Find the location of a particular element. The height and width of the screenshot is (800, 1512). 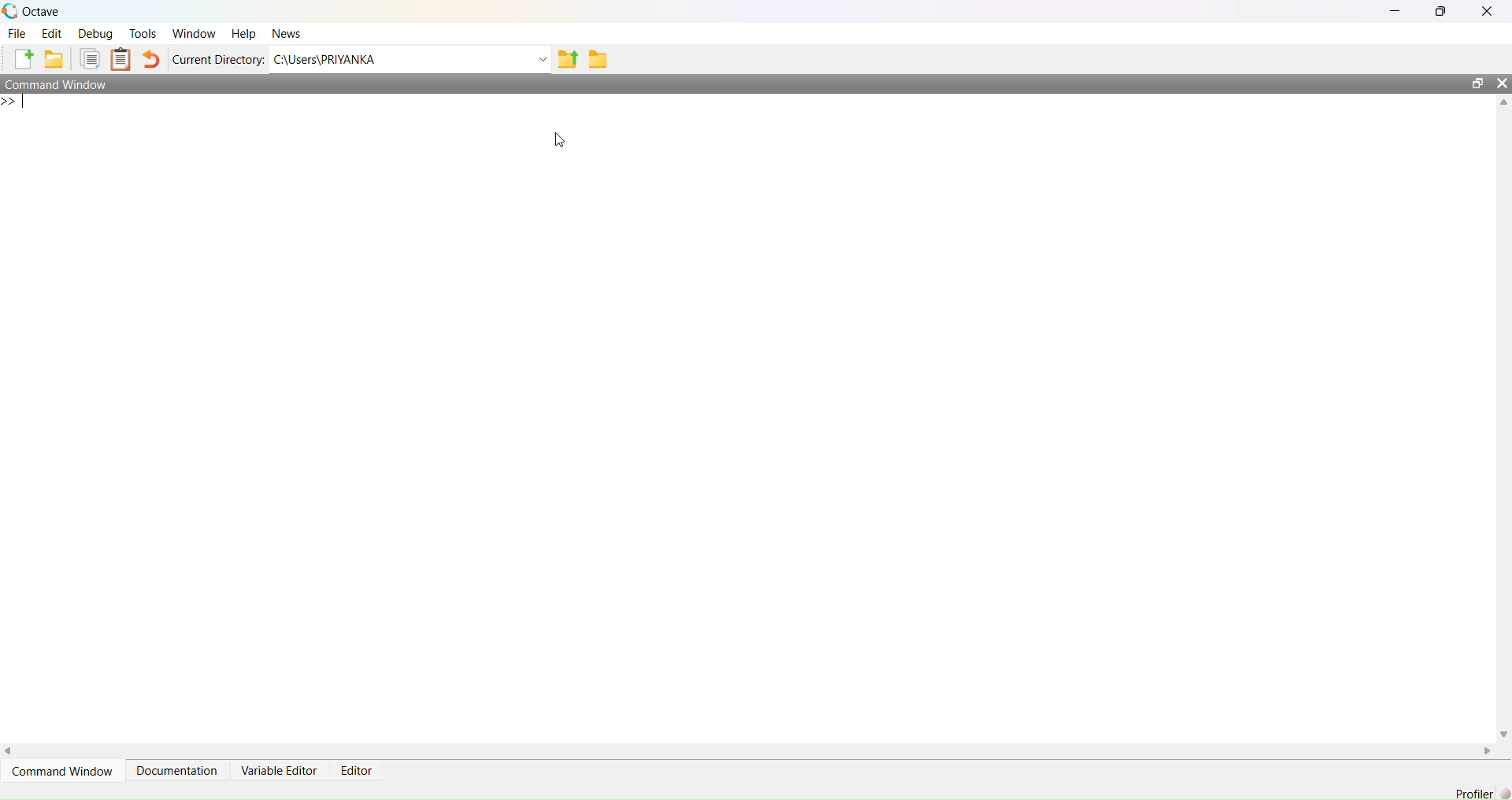

New script is located at coordinates (20, 59).